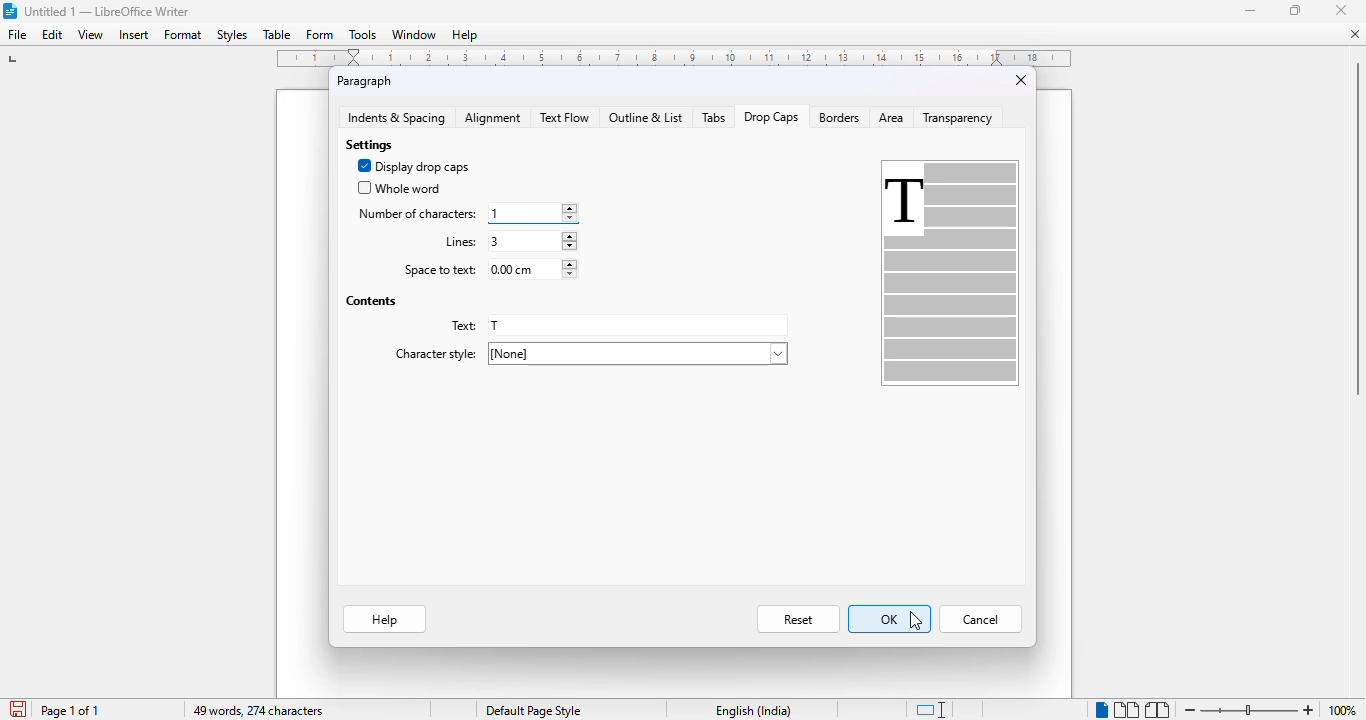  I want to click on window, so click(413, 34).